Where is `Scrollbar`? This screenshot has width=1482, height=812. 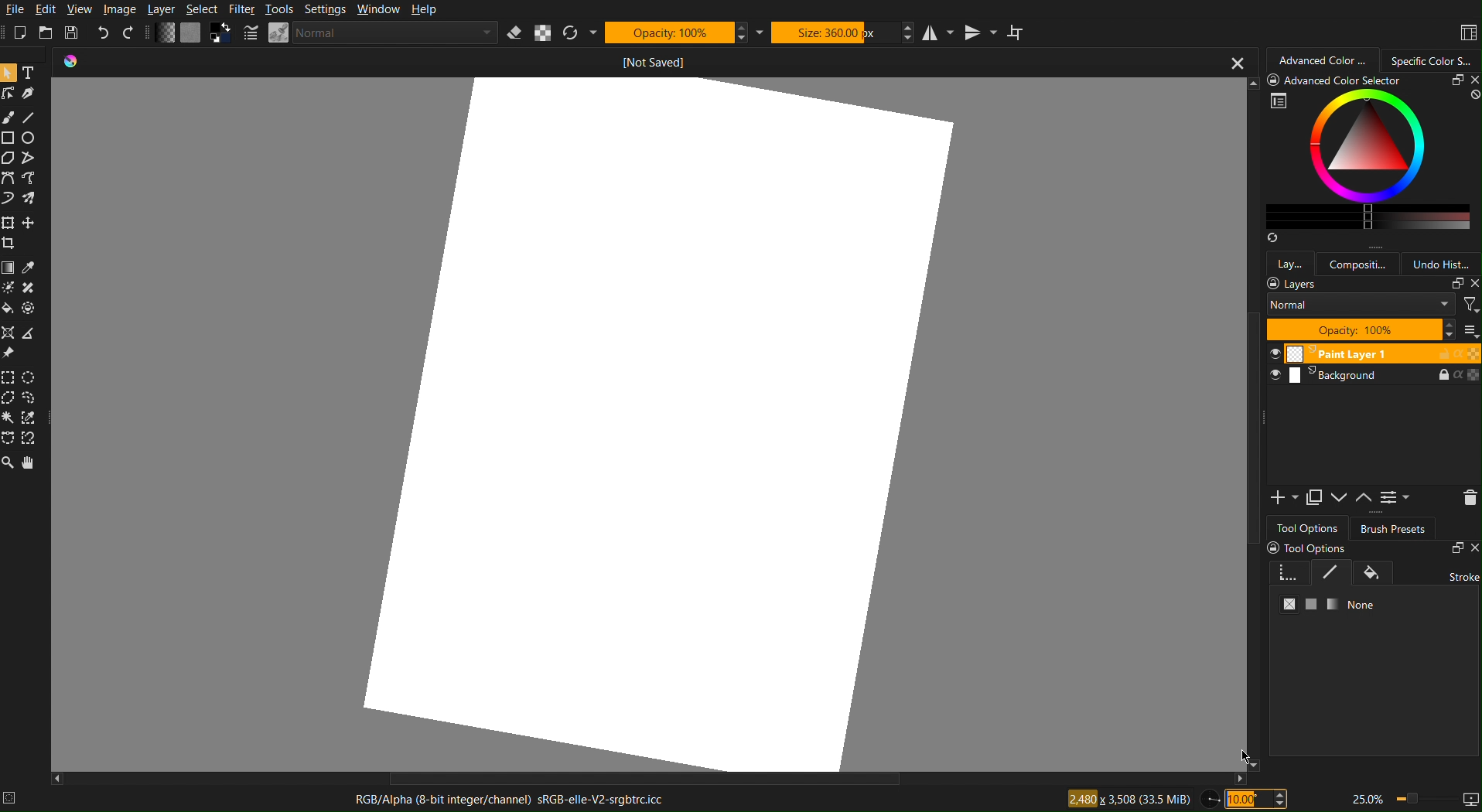
Scrollbar is located at coordinates (652, 780).